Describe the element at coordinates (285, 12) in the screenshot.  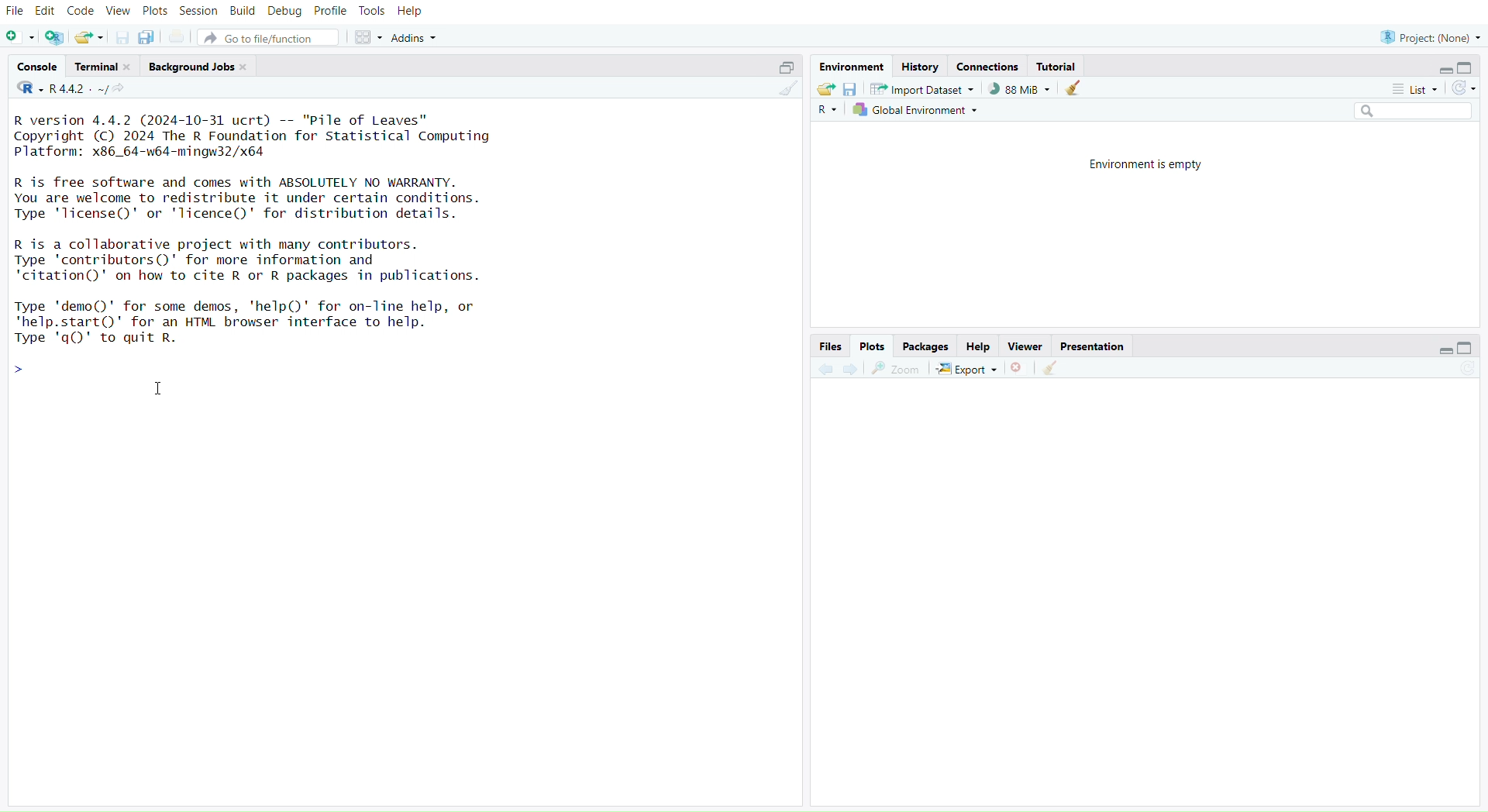
I see `debug` at that location.